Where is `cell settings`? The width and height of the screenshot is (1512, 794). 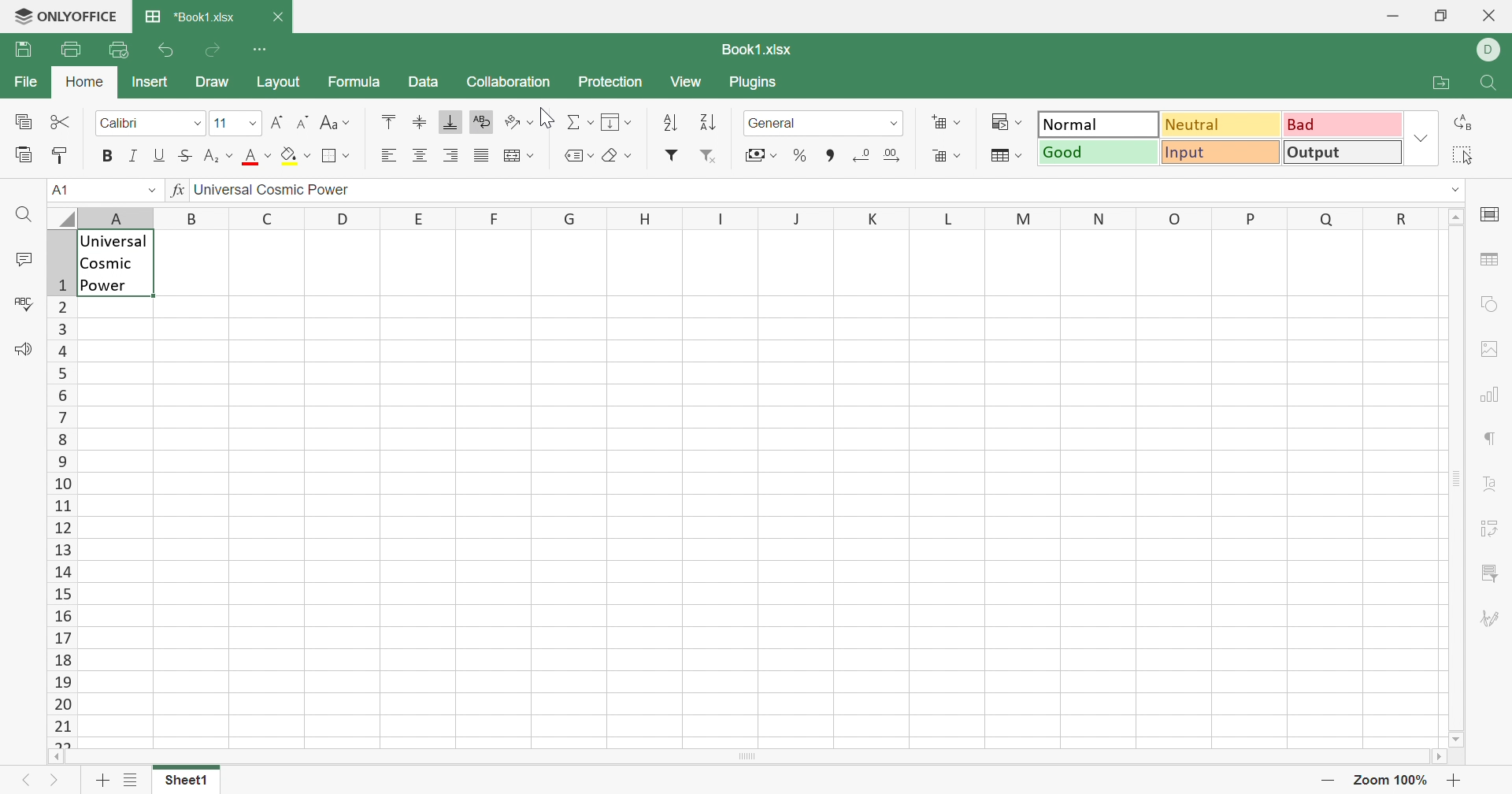 cell settings is located at coordinates (1492, 213).